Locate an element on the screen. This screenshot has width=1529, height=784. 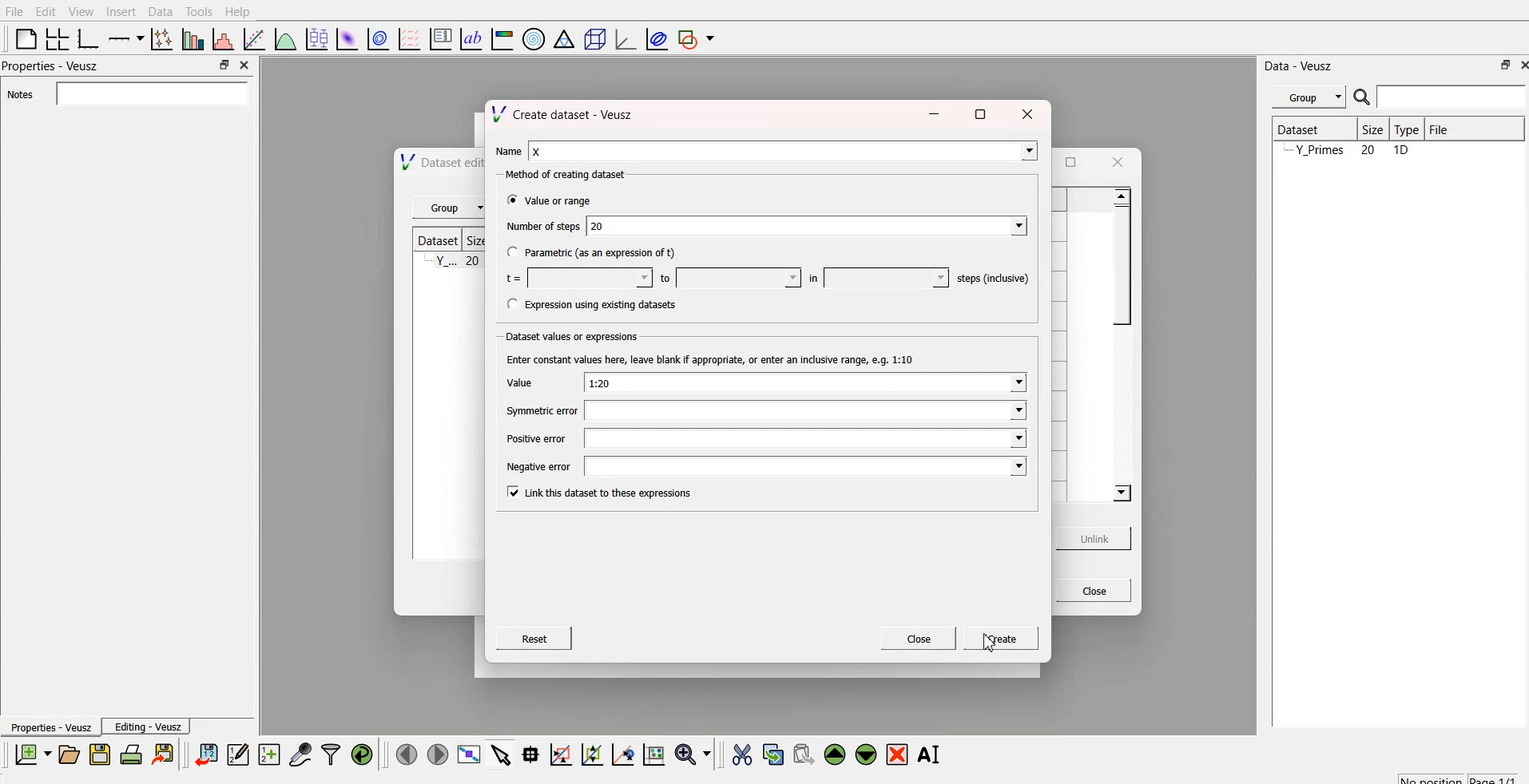
plot data is located at coordinates (378, 38).